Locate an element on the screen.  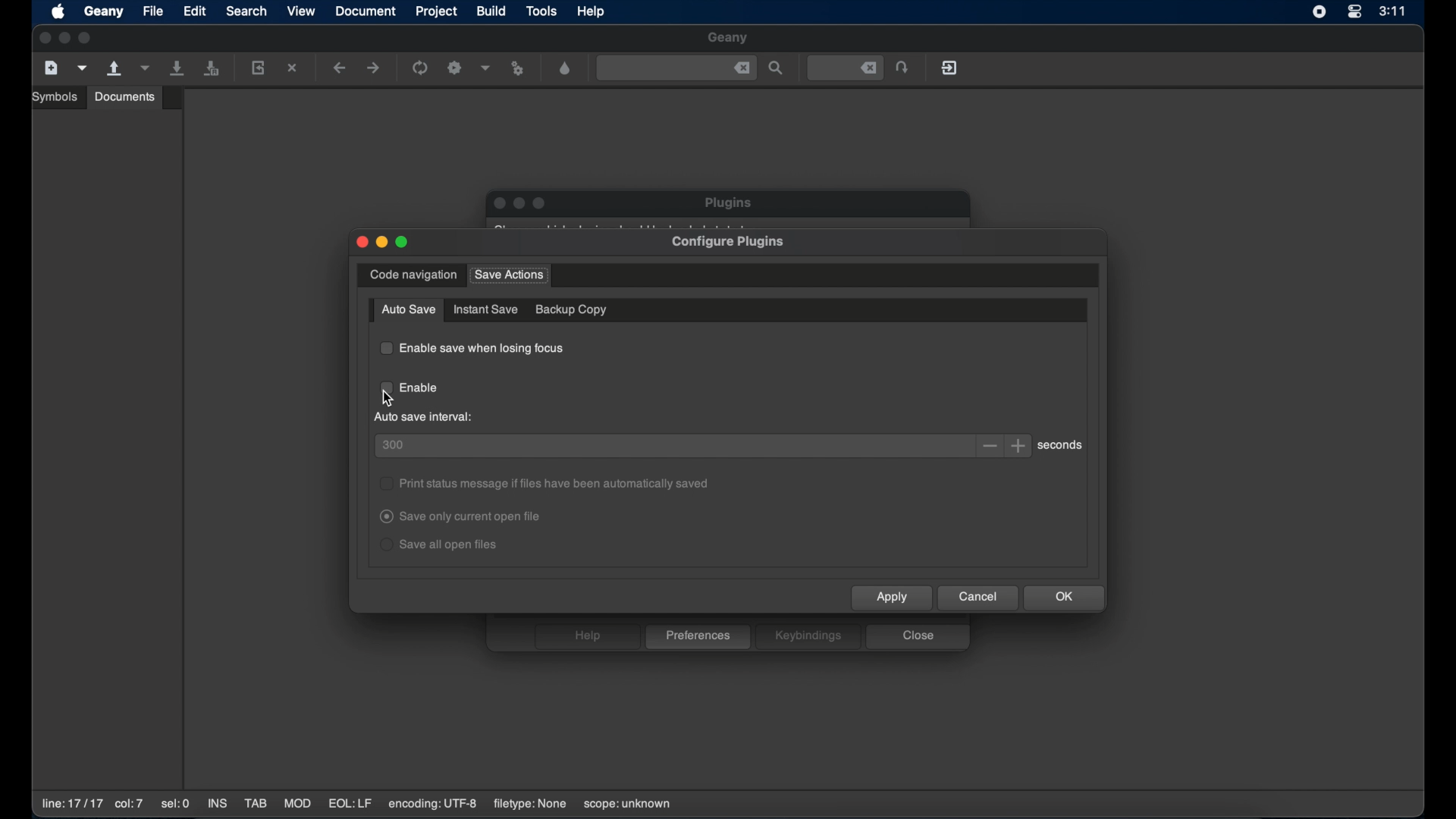
jump to the entered file is located at coordinates (846, 68).